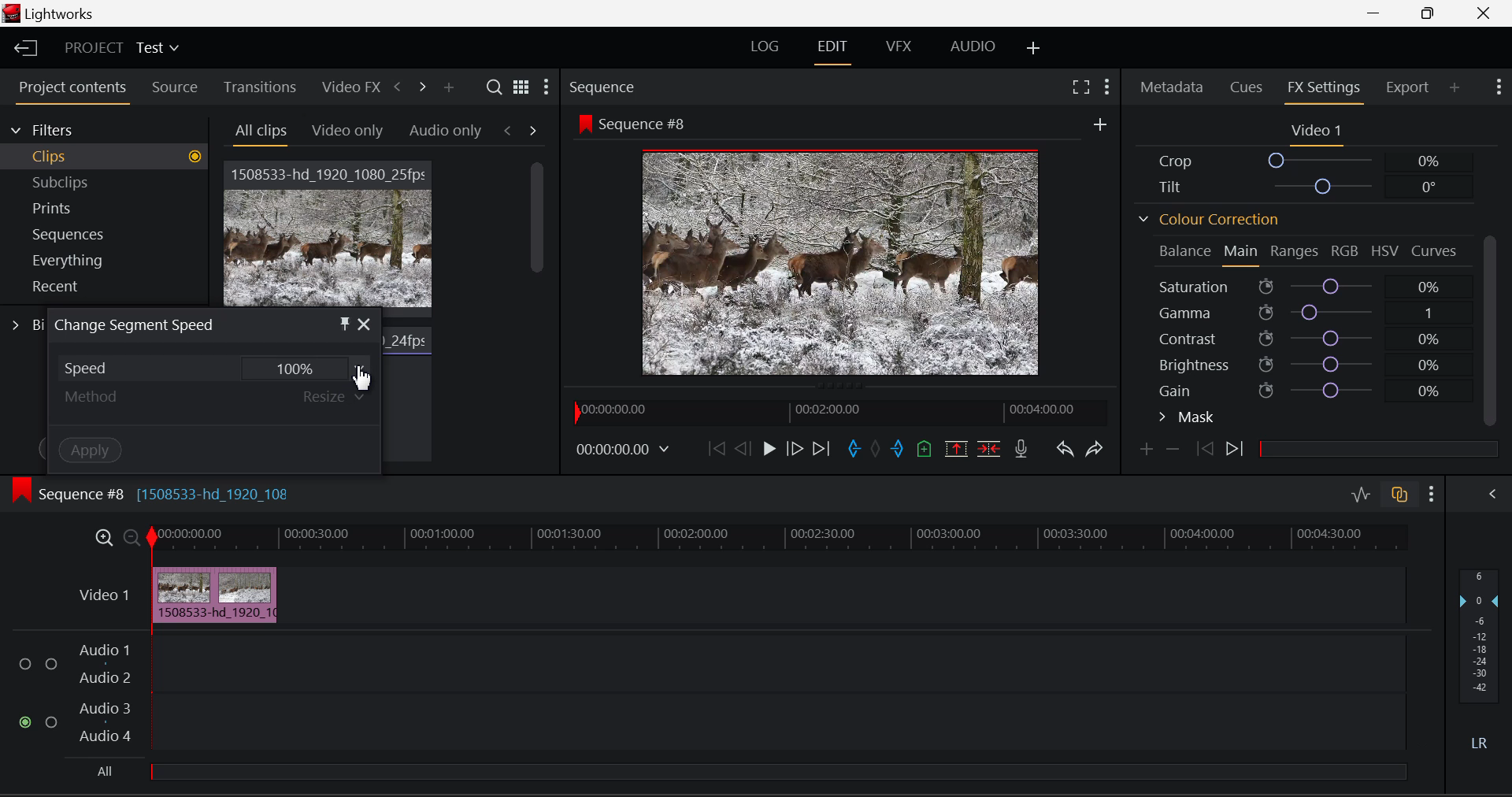 The width and height of the screenshot is (1512, 797). Describe the element at coordinates (1496, 496) in the screenshot. I see `Show Audio Mix` at that location.